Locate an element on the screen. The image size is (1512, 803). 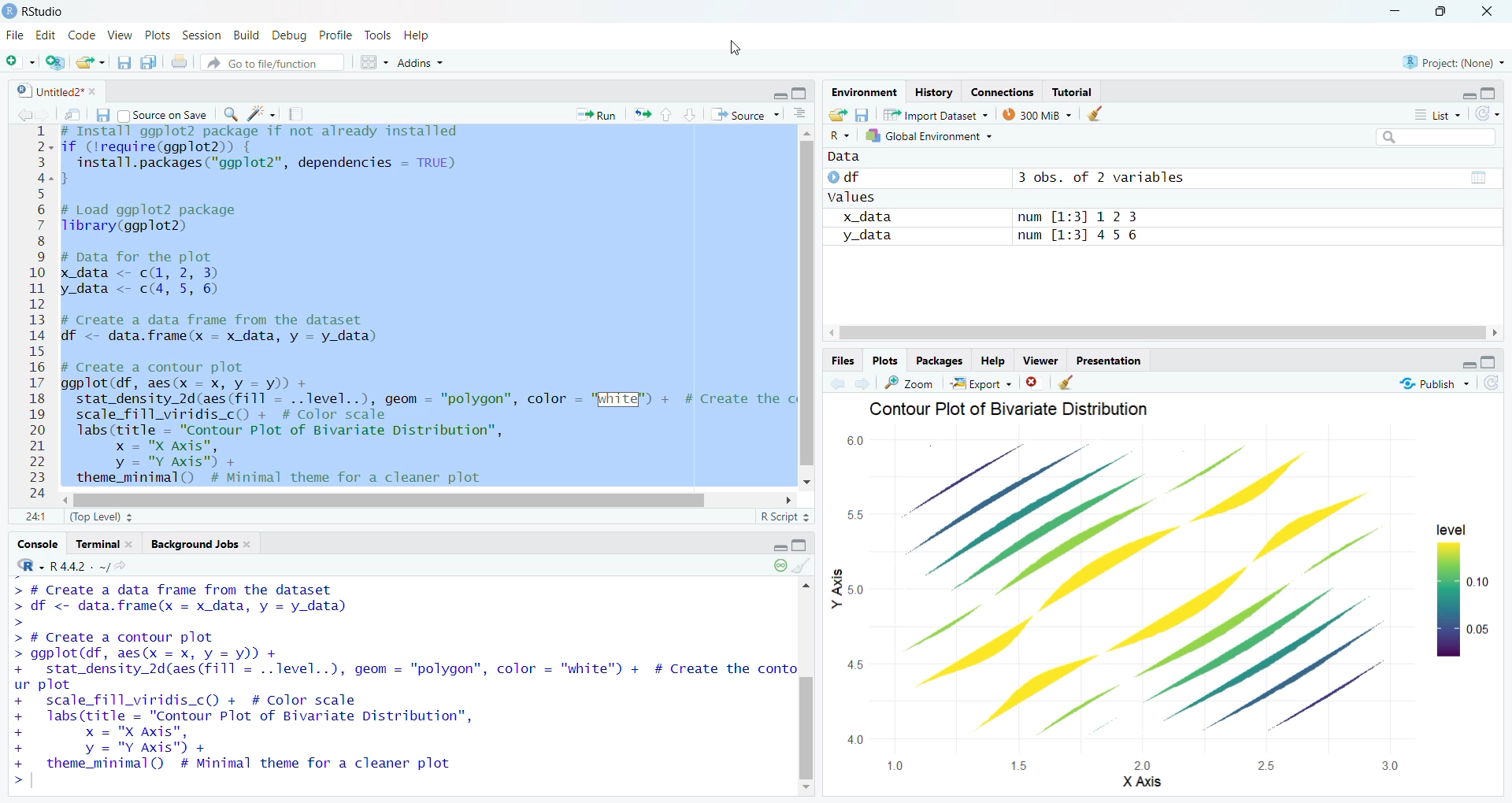
Source on Save is located at coordinates (162, 116).